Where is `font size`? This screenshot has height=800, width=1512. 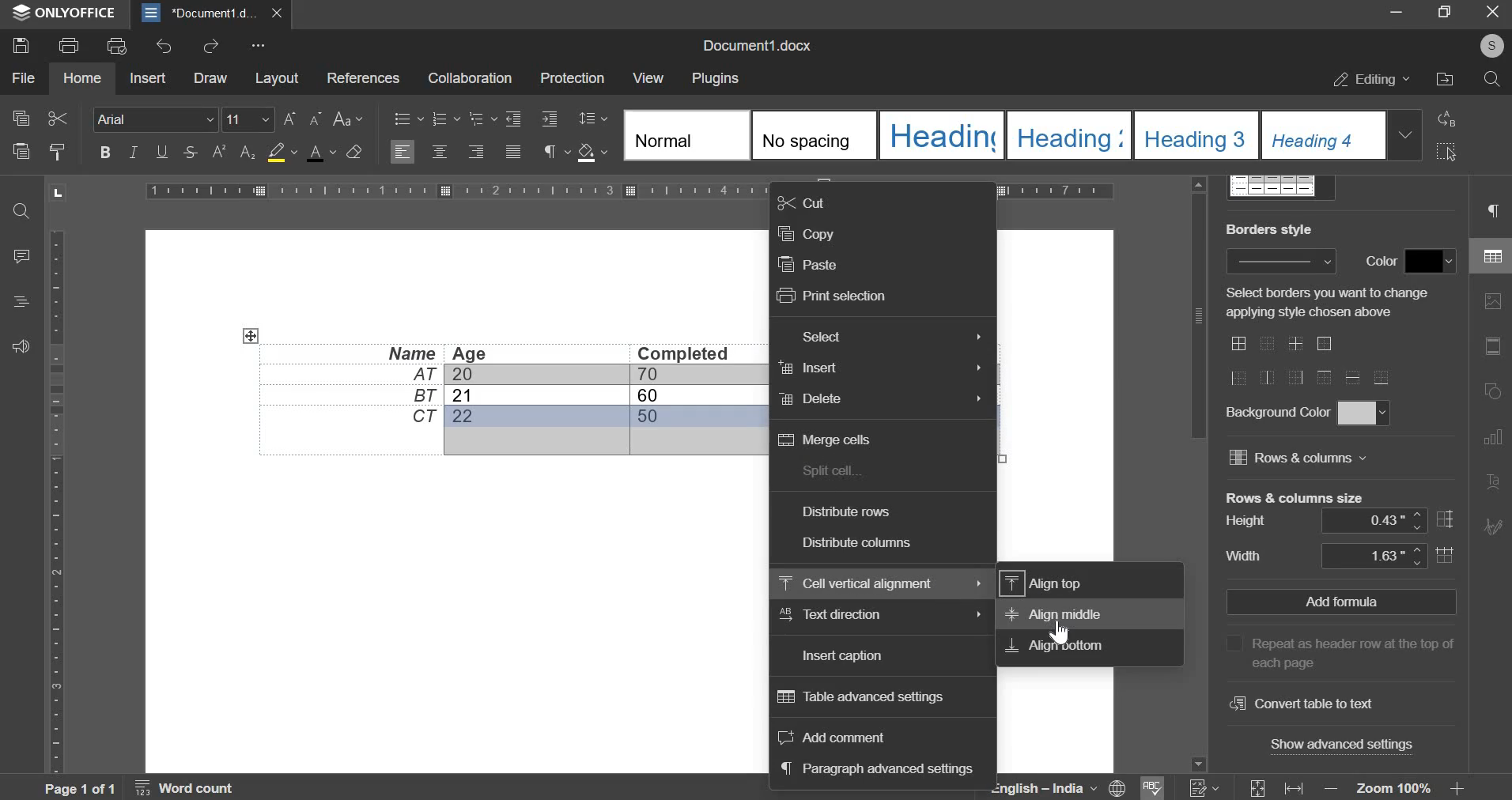 font size is located at coordinates (237, 115).